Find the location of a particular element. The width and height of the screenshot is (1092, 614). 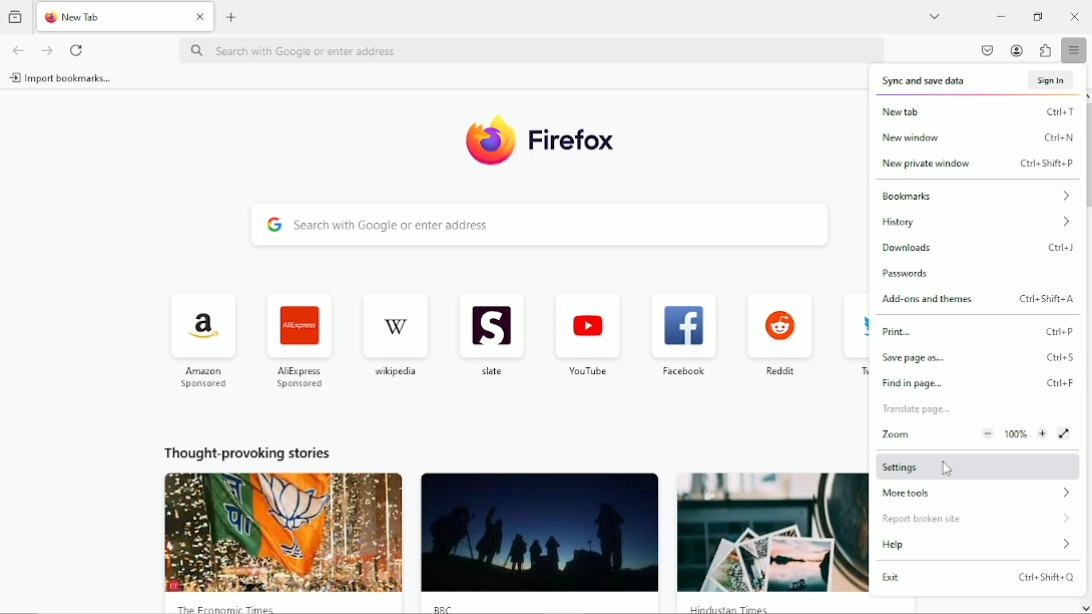

Shortcut keys is located at coordinates (1049, 163).